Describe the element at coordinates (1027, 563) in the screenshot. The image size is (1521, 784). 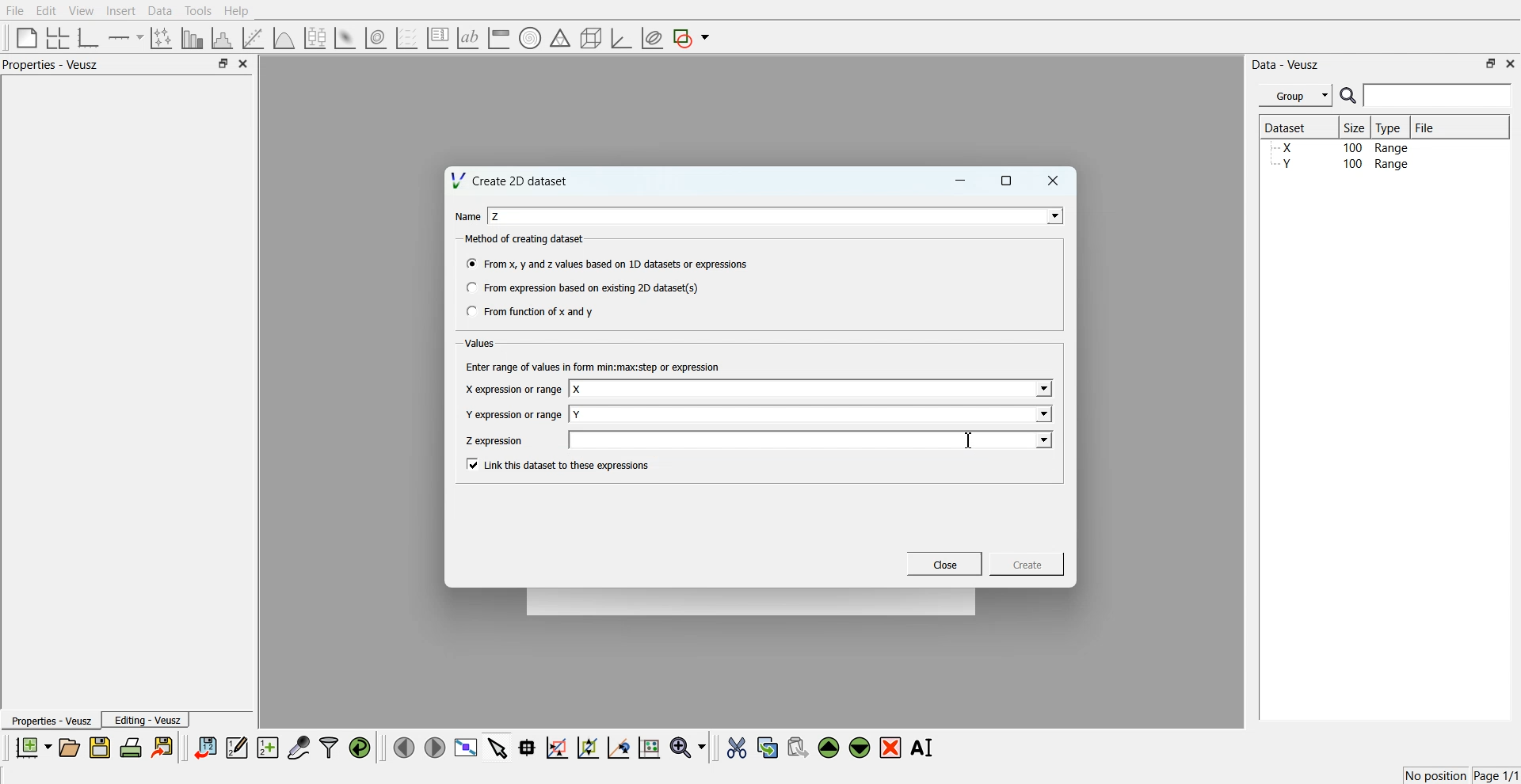
I see `Create` at that location.